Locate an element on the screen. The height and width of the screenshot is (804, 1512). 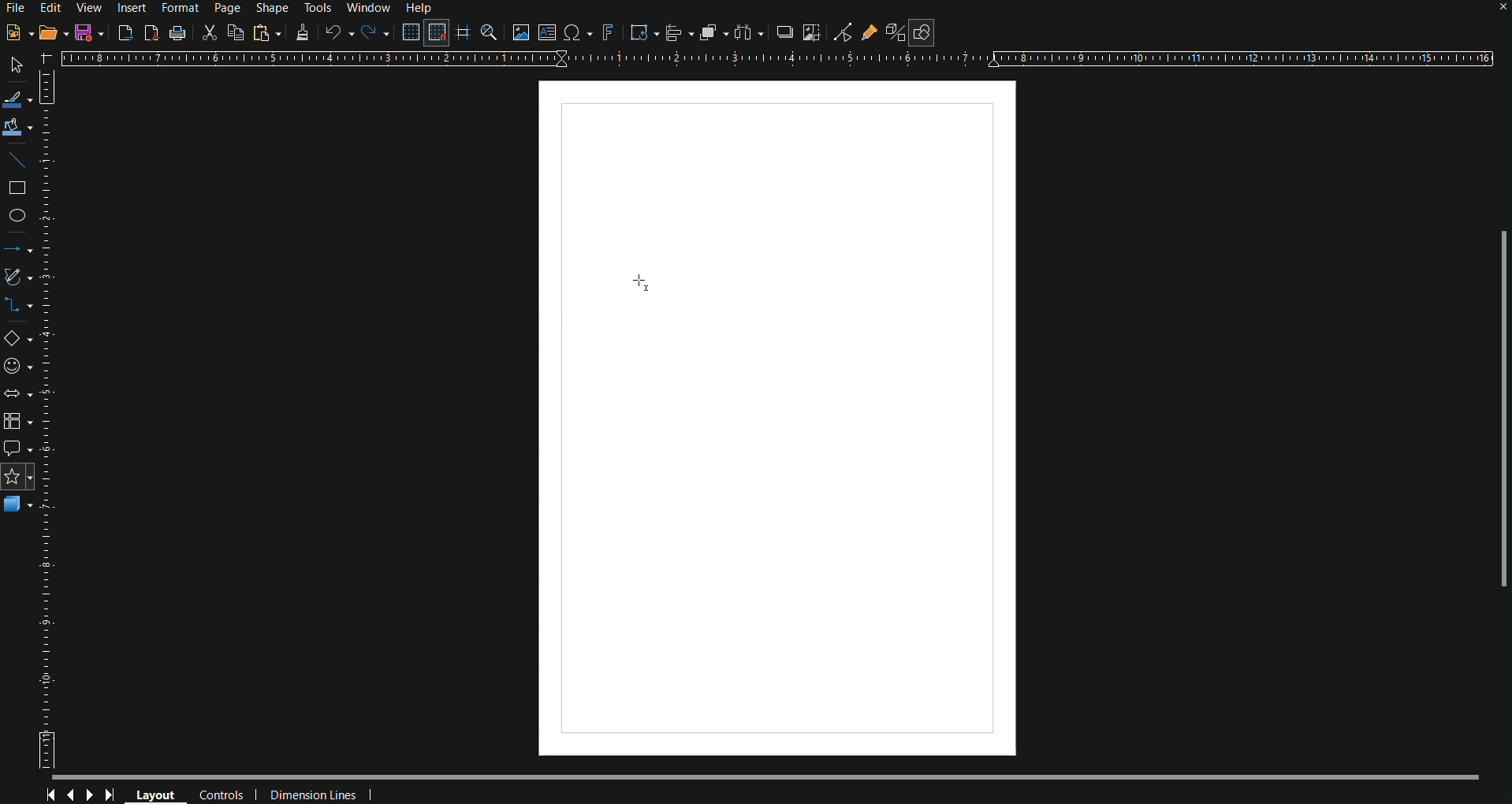
Show Basic Shapes is located at coordinates (923, 32).